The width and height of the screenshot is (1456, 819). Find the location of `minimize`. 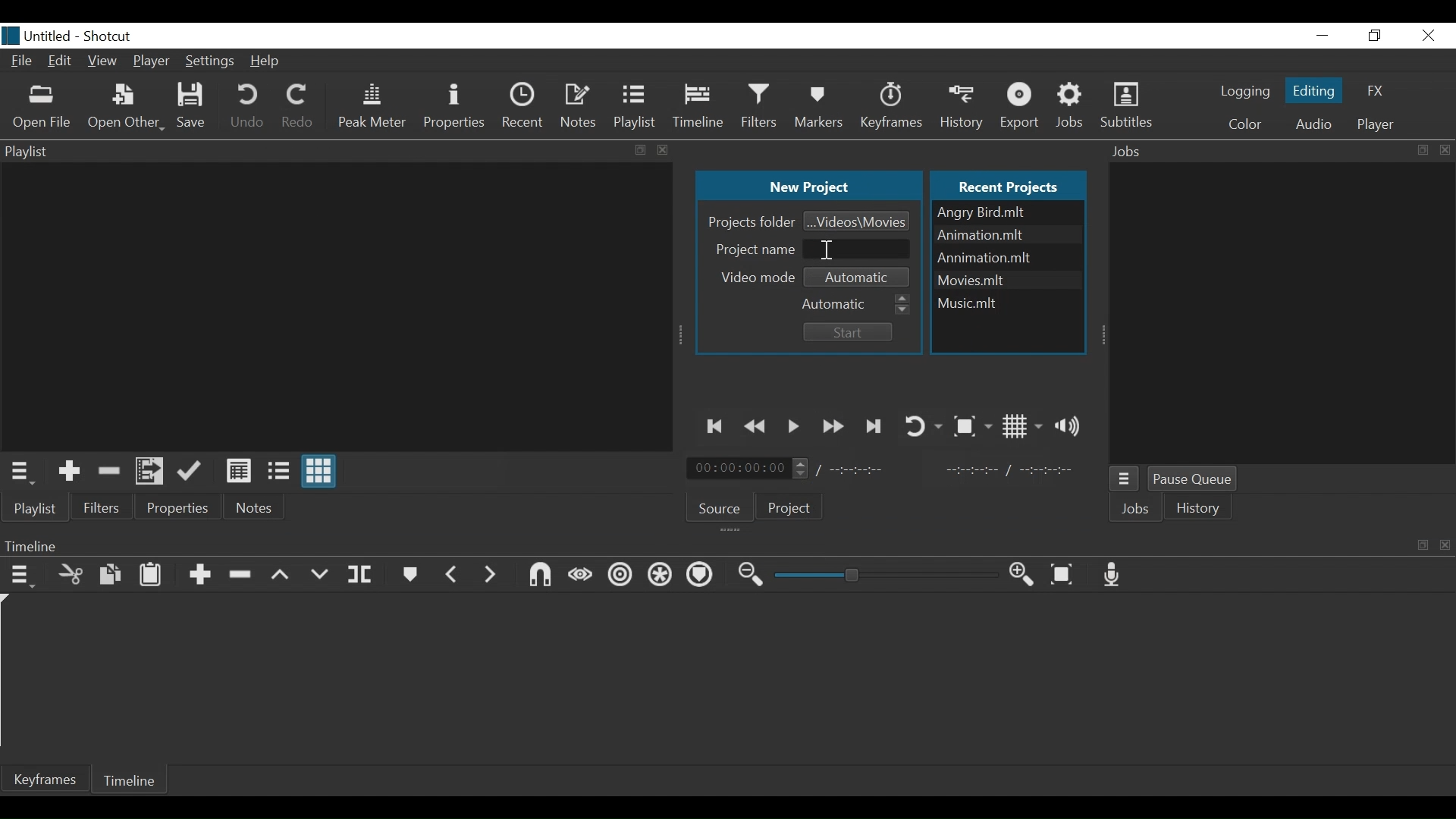

minimize is located at coordinates (1323, 35).